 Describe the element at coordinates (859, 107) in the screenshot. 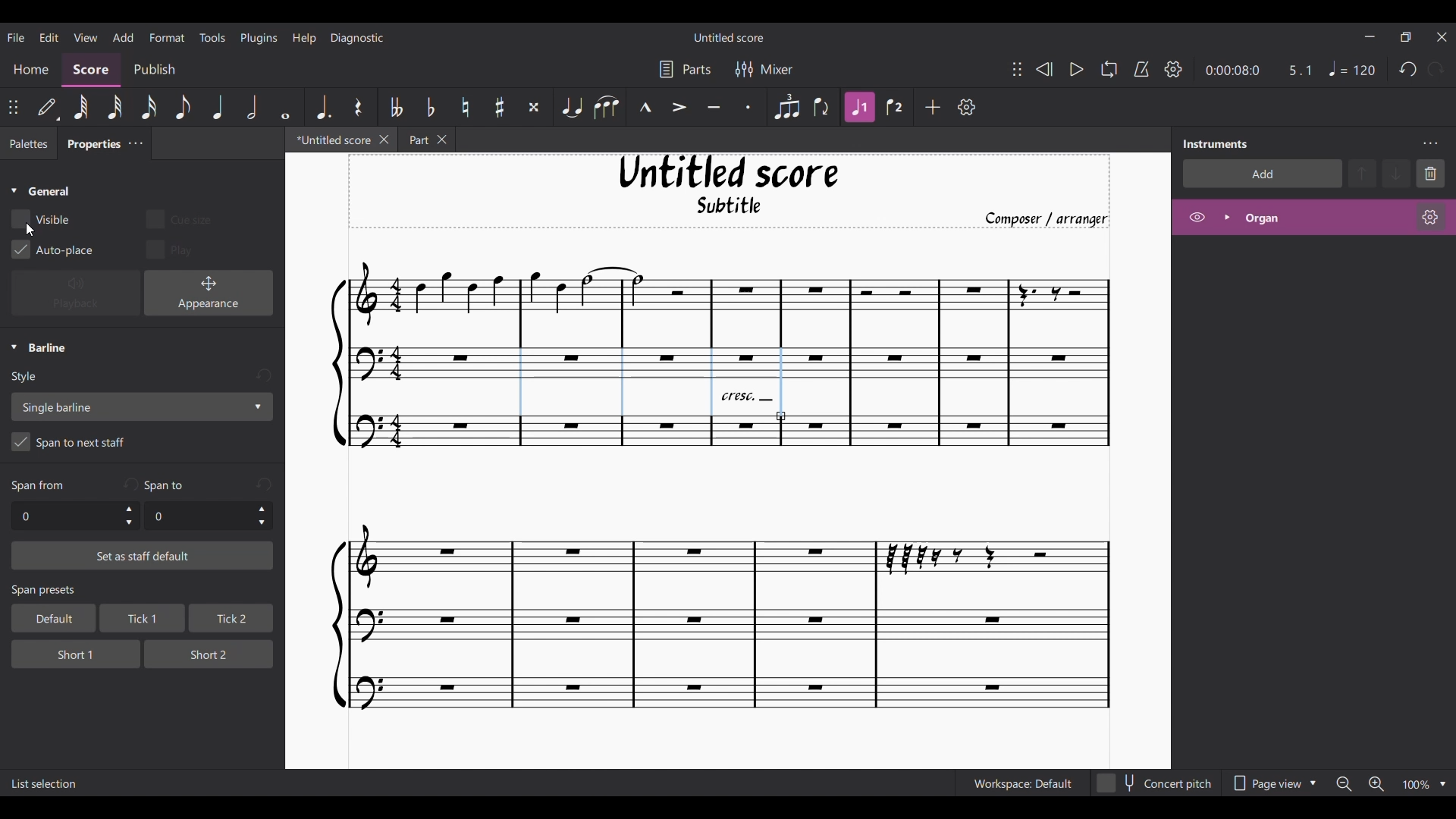

I see `Highlighted due to current selection` at that location.